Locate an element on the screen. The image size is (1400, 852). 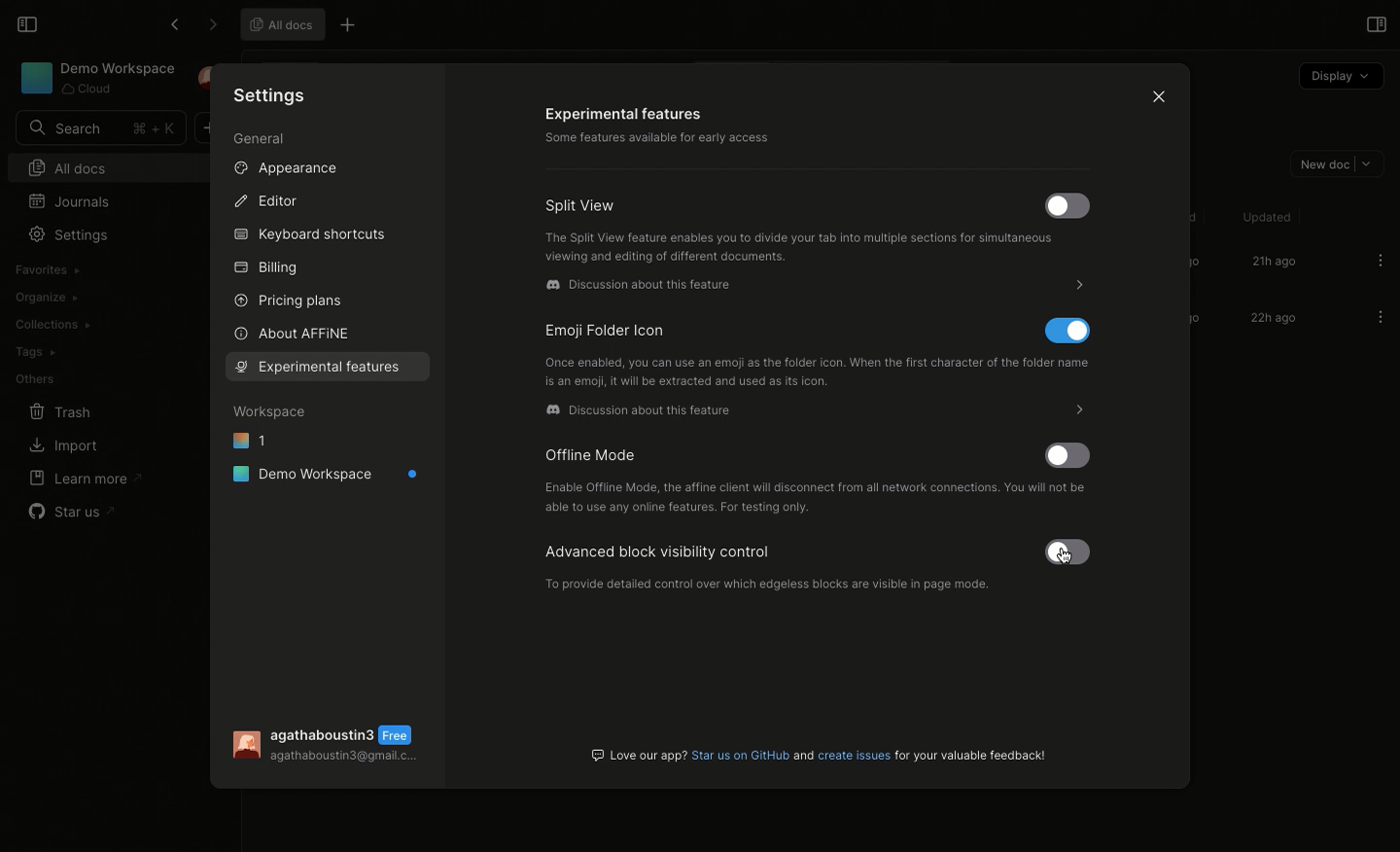
Options is located at coordinates (1380, 318).